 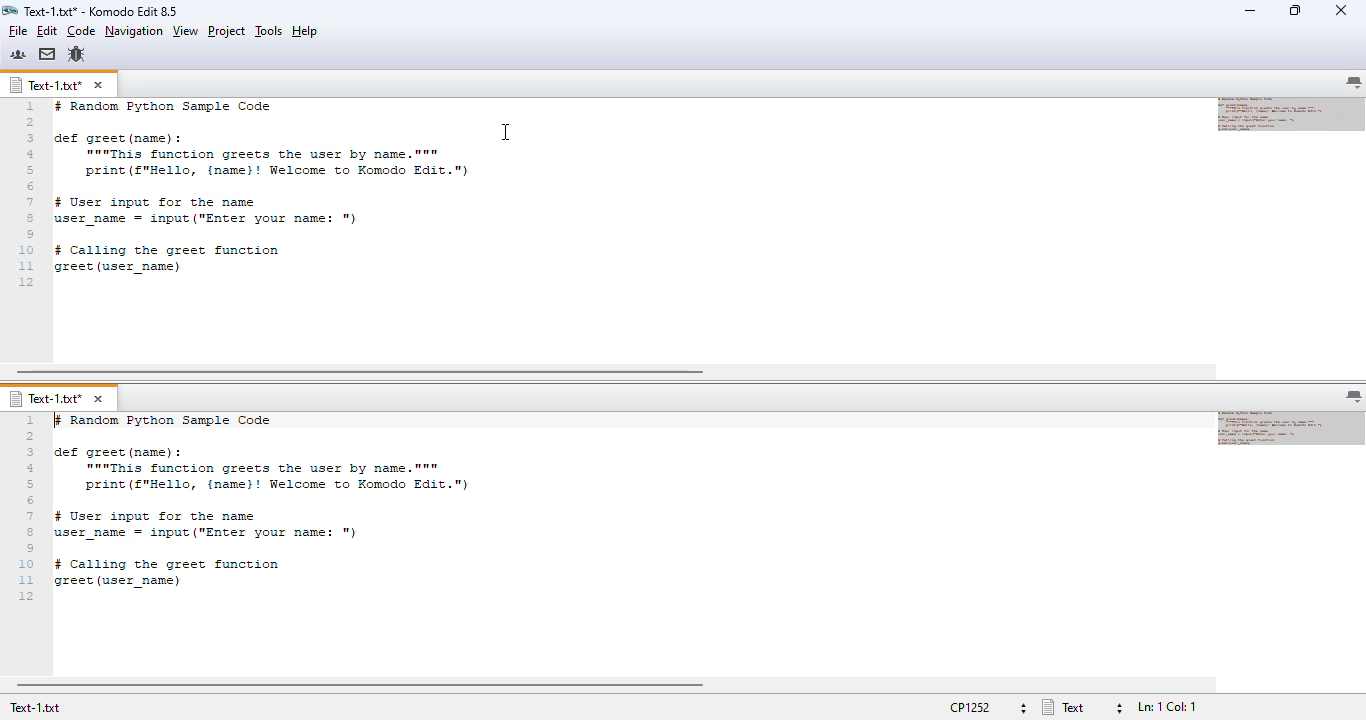 I want to click on tools, so click(x=269, y=30).